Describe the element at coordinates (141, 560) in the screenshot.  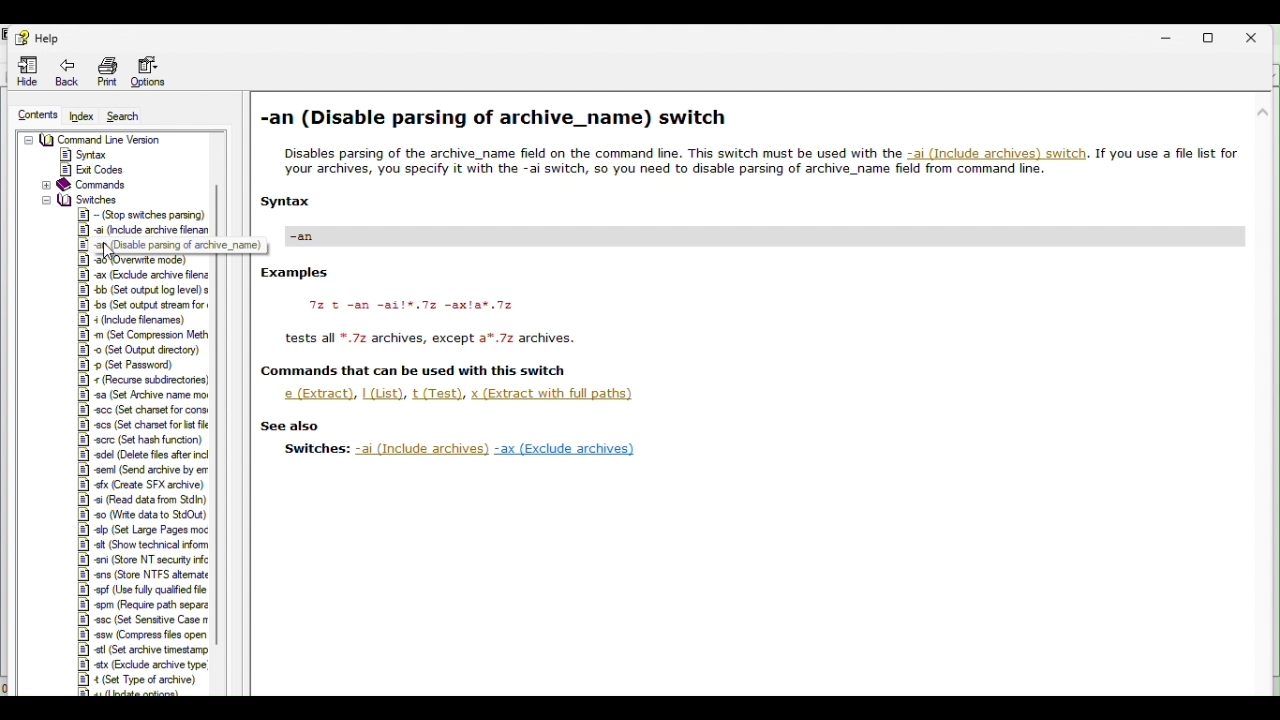
I see `|B] ani (Store NT securtty infc` at that location.